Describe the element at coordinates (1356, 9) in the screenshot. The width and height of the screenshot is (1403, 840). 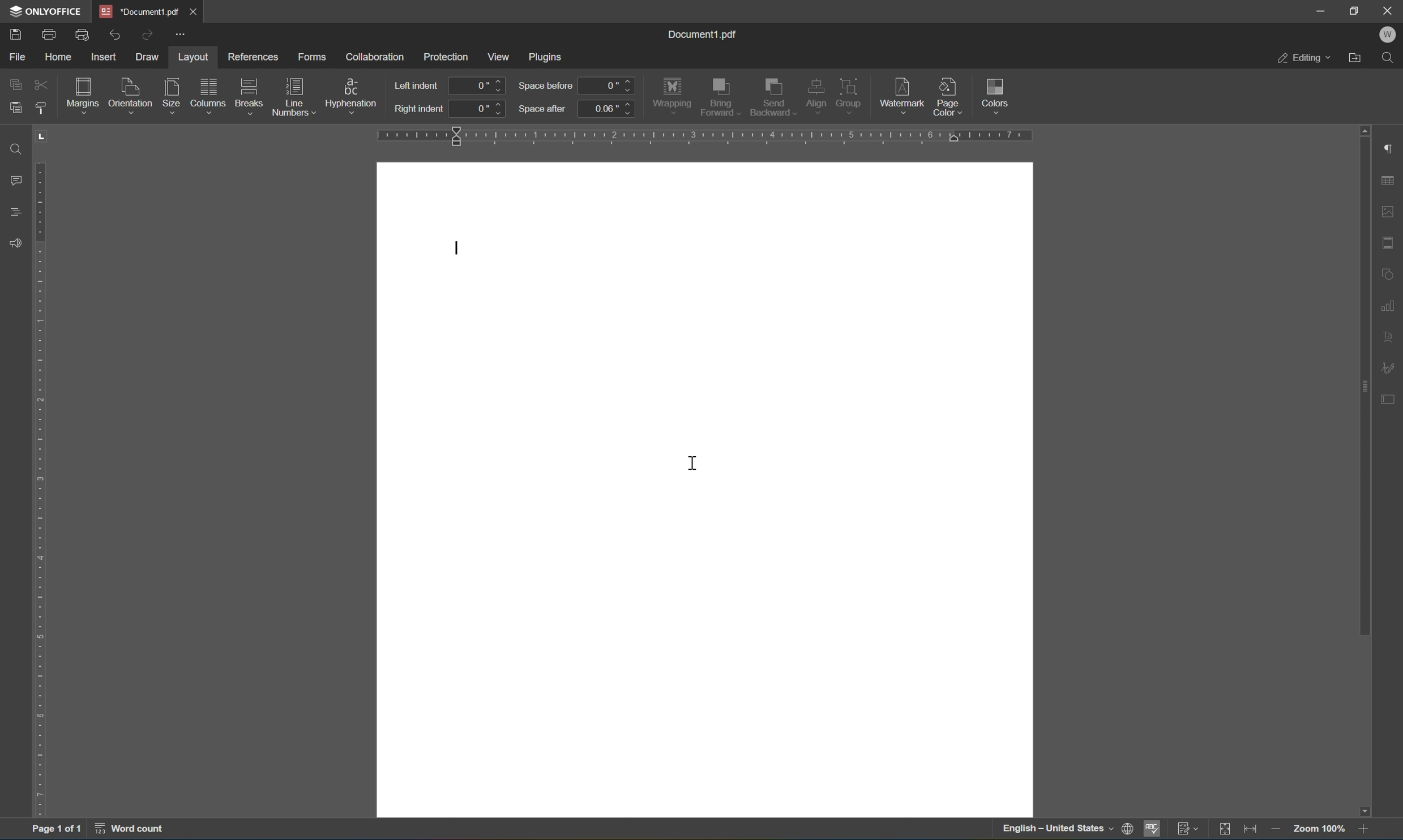
I see `restore down` at that location.